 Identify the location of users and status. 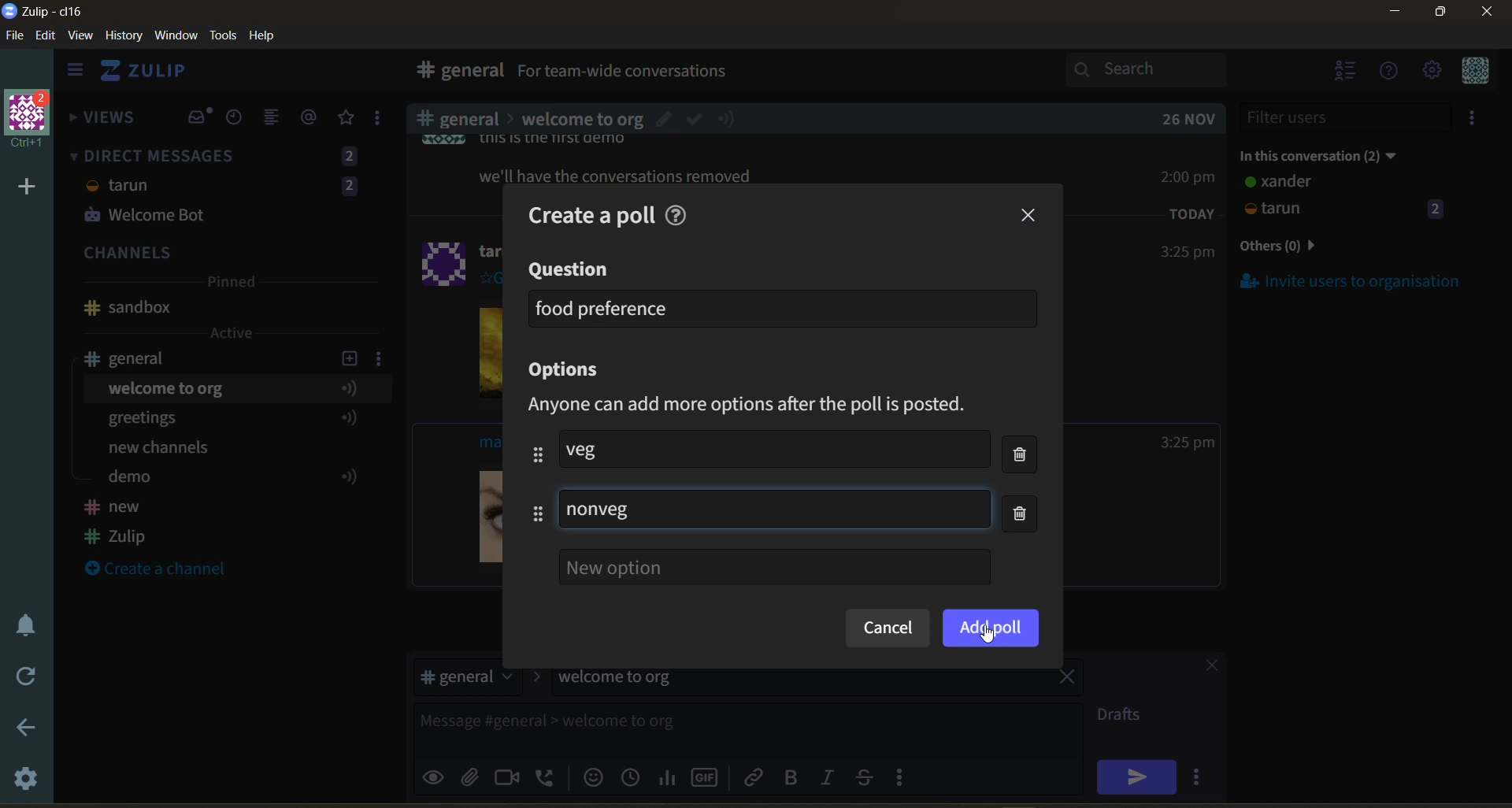
(1346, 198).